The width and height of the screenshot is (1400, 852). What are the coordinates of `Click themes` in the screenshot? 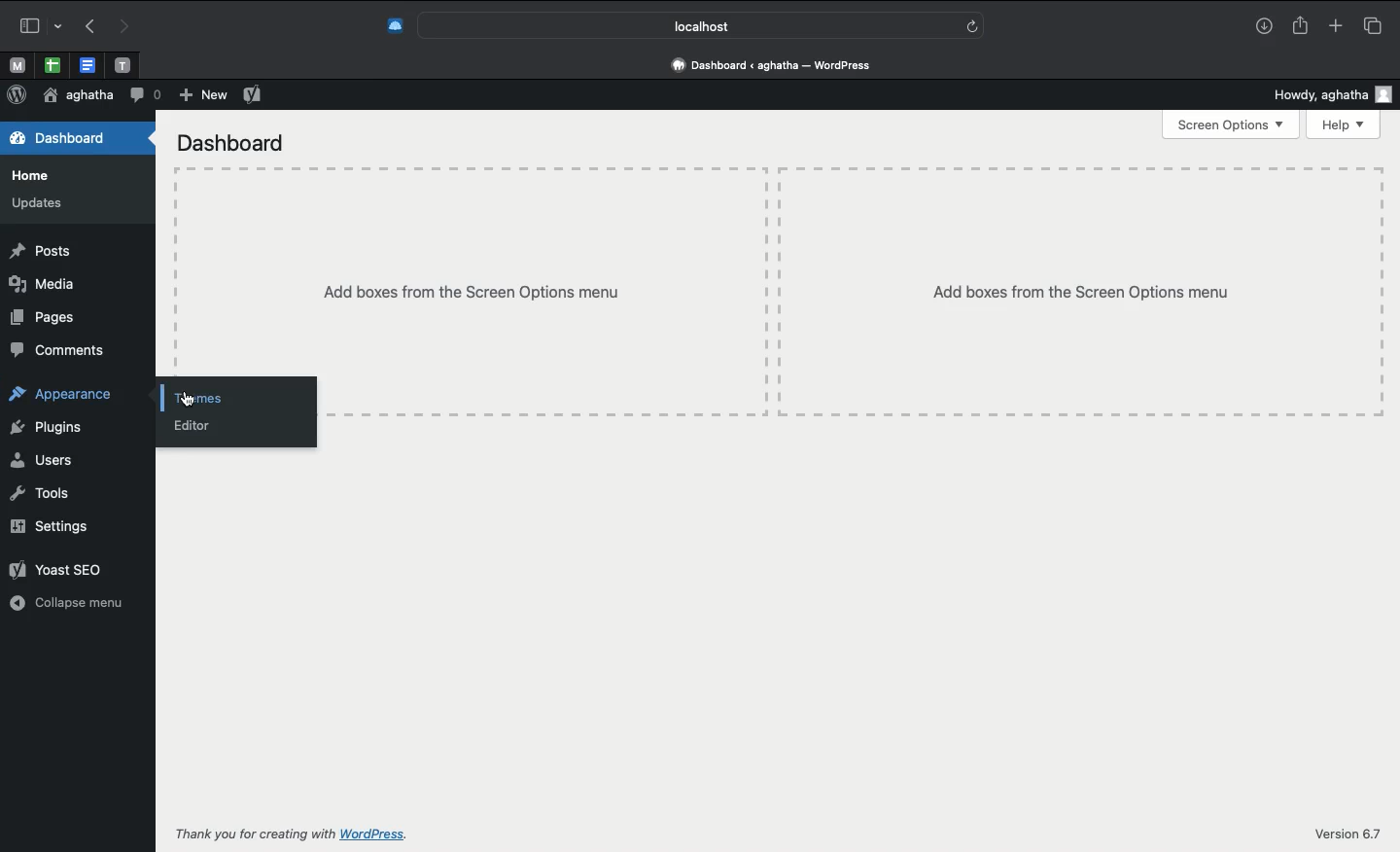 It's located at (208, 398).